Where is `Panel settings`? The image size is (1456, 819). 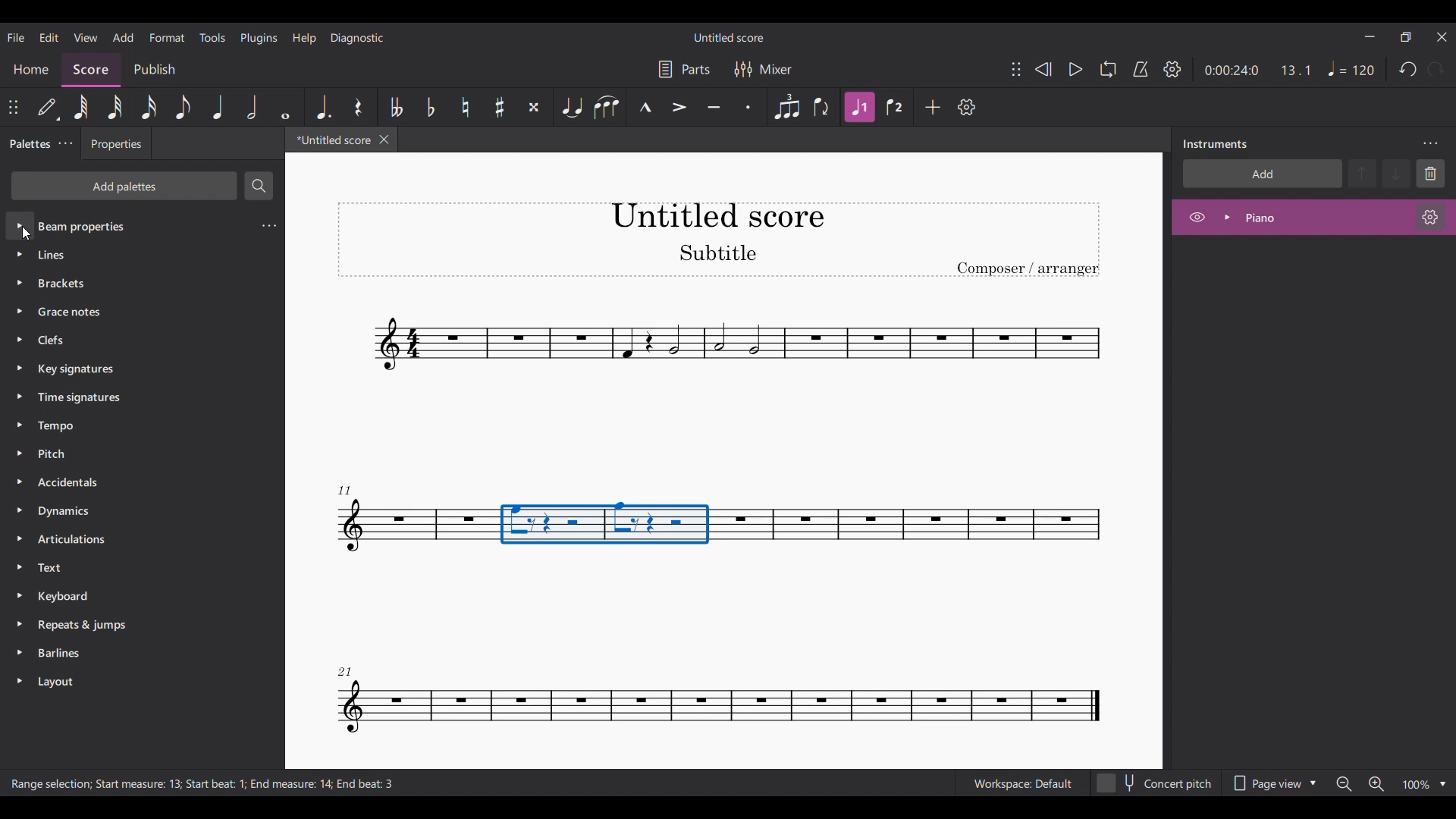
Panel settings is located at coordinates (1430, 144).